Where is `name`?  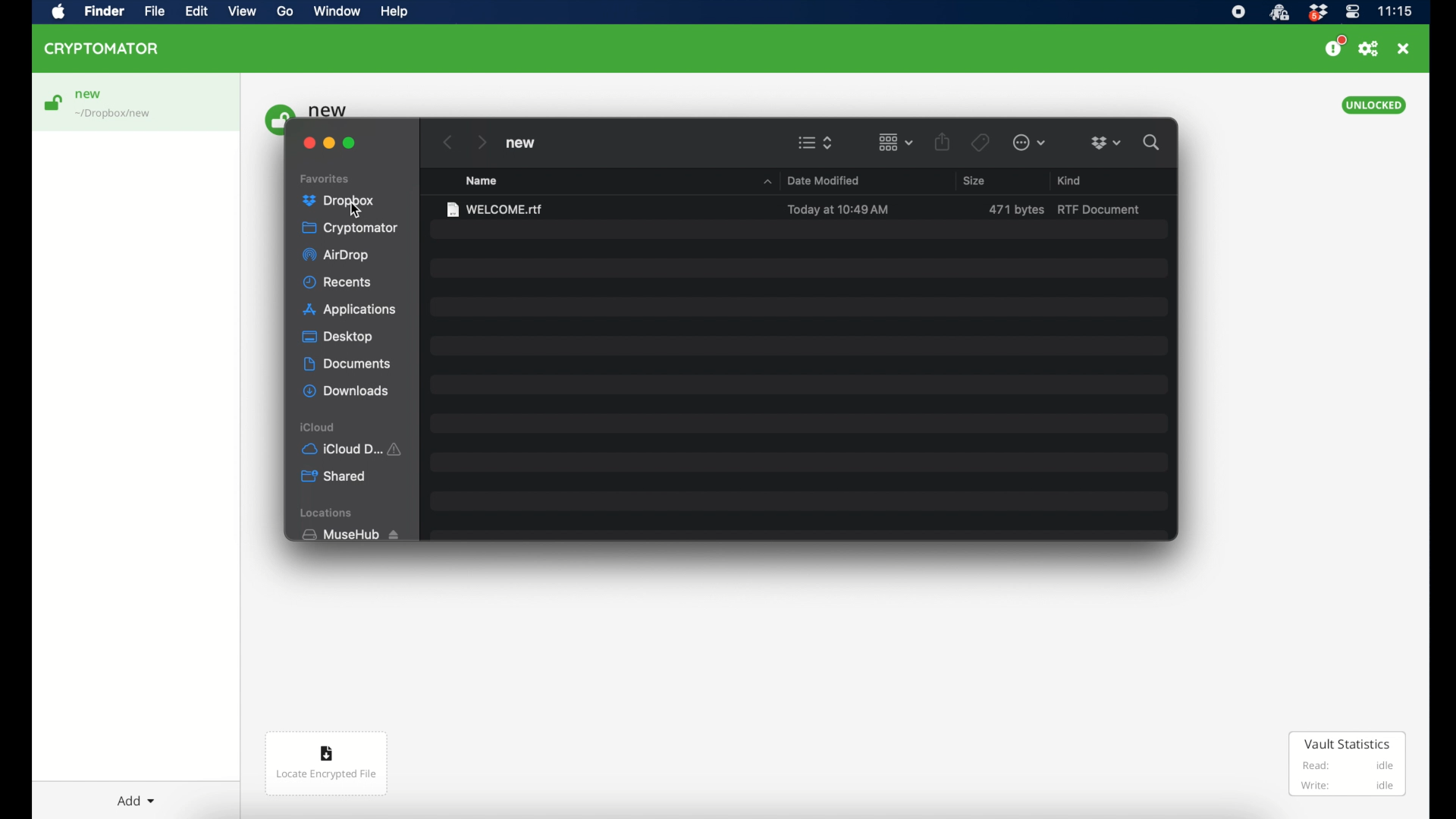
name is located at coordinates (482, 181).